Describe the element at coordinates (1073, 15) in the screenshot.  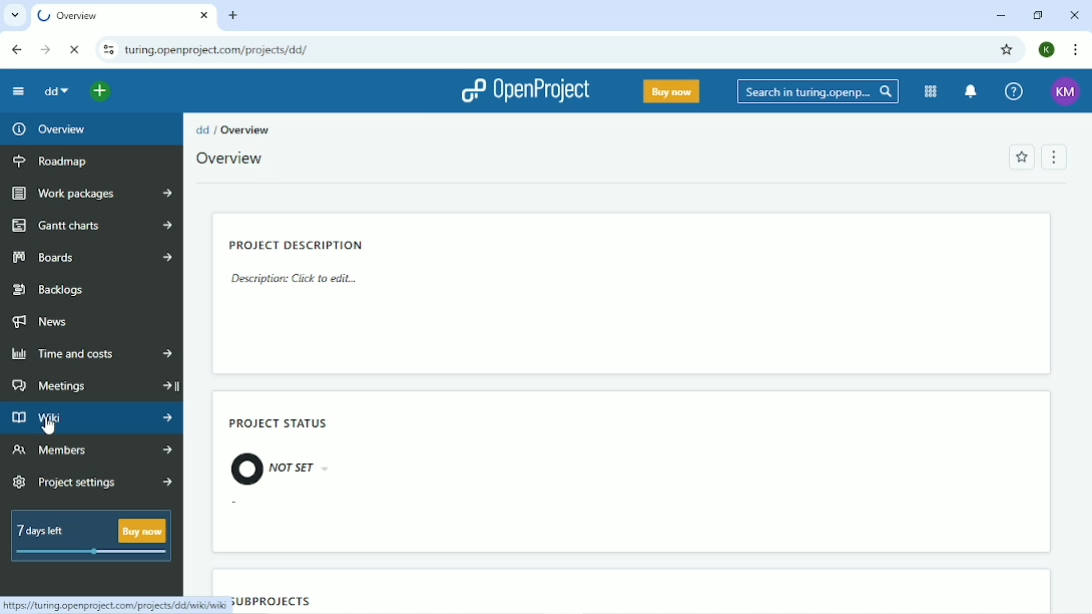
I see `Close` at that location.